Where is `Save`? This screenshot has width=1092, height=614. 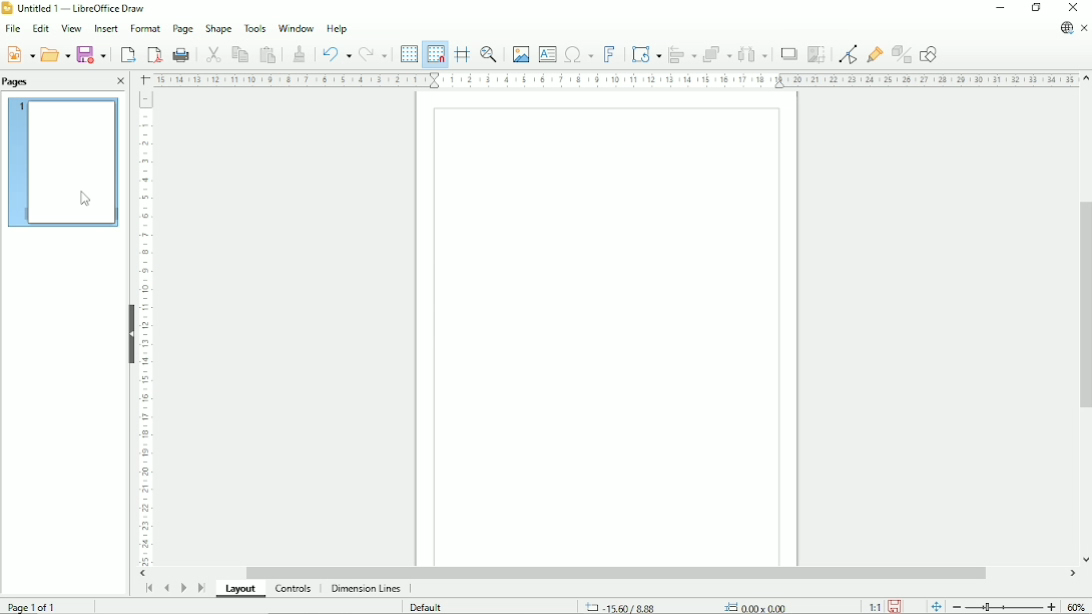
Save is located at coordinates (896, 605).